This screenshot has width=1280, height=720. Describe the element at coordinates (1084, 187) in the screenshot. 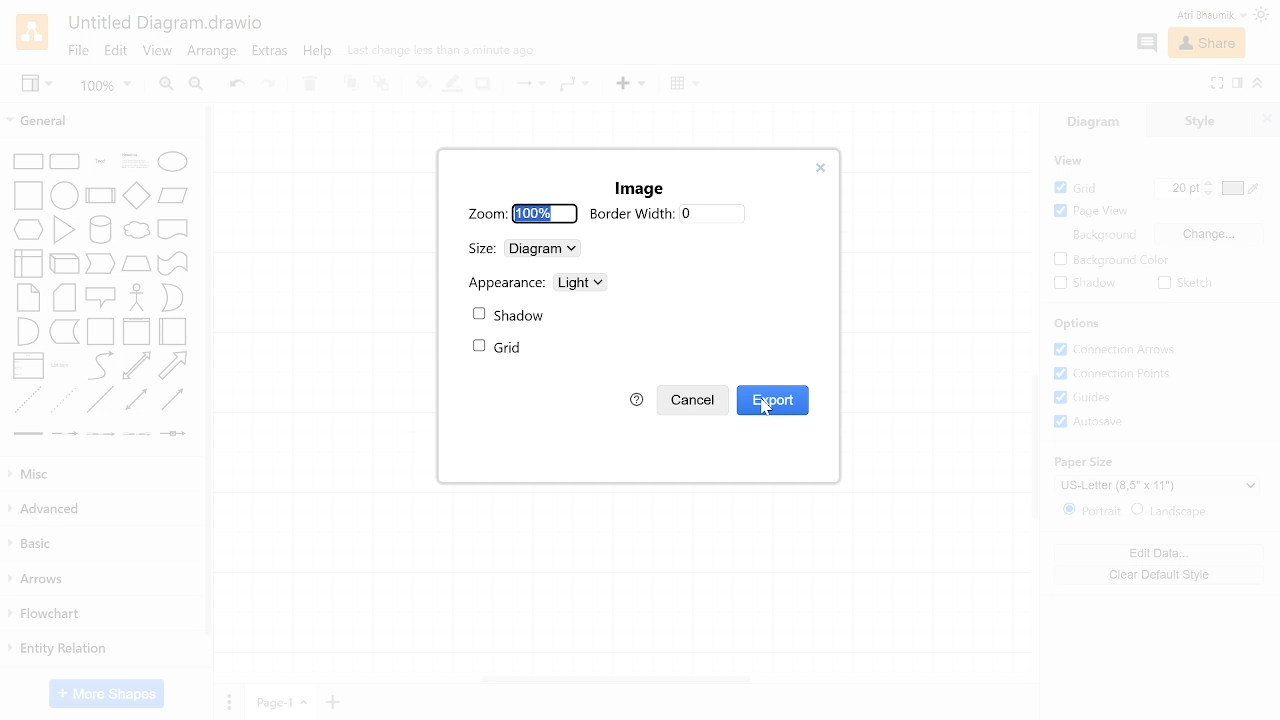

I see `Grid` at that location.